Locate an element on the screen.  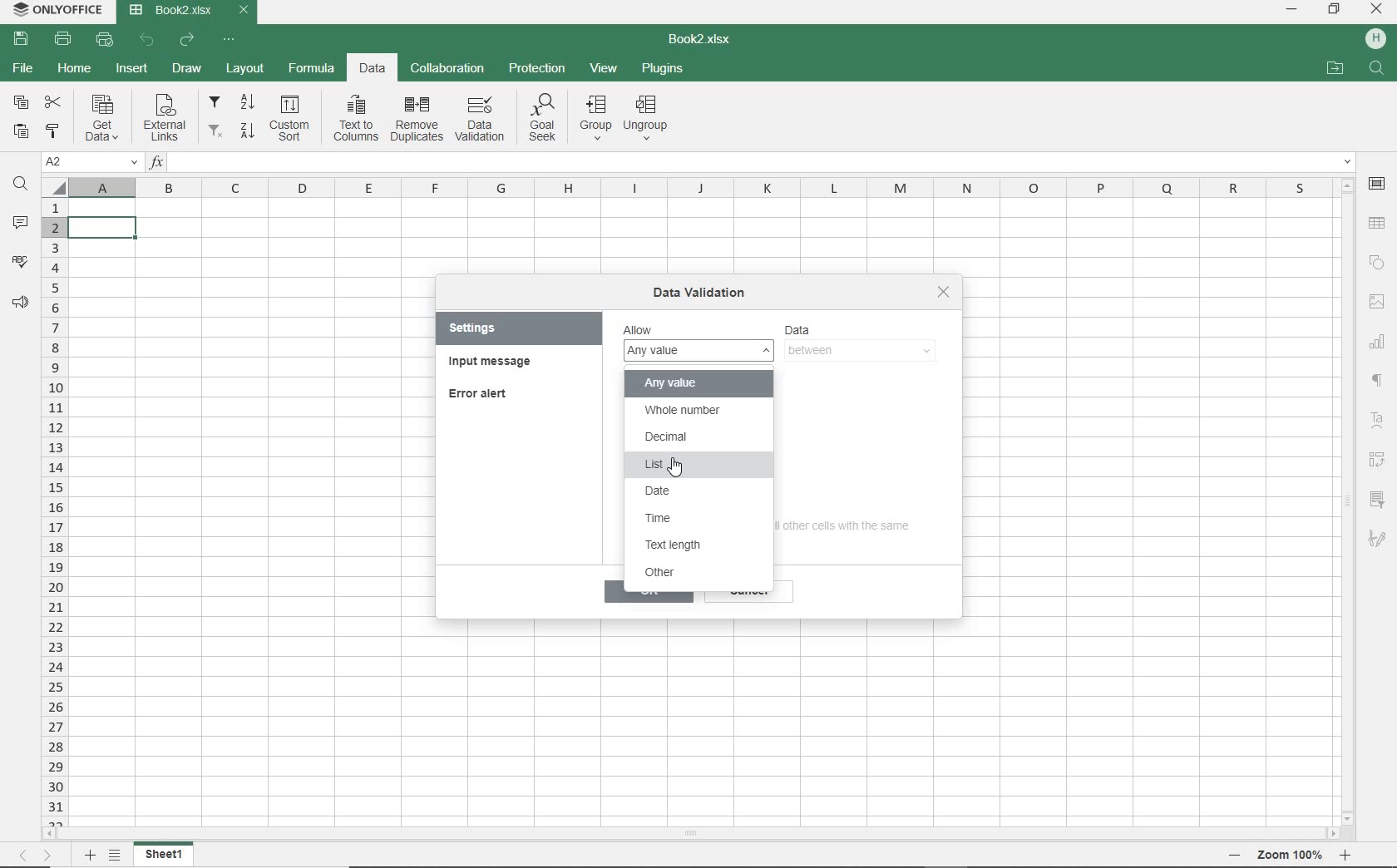
ROWS is located at coordinates (53, 508).